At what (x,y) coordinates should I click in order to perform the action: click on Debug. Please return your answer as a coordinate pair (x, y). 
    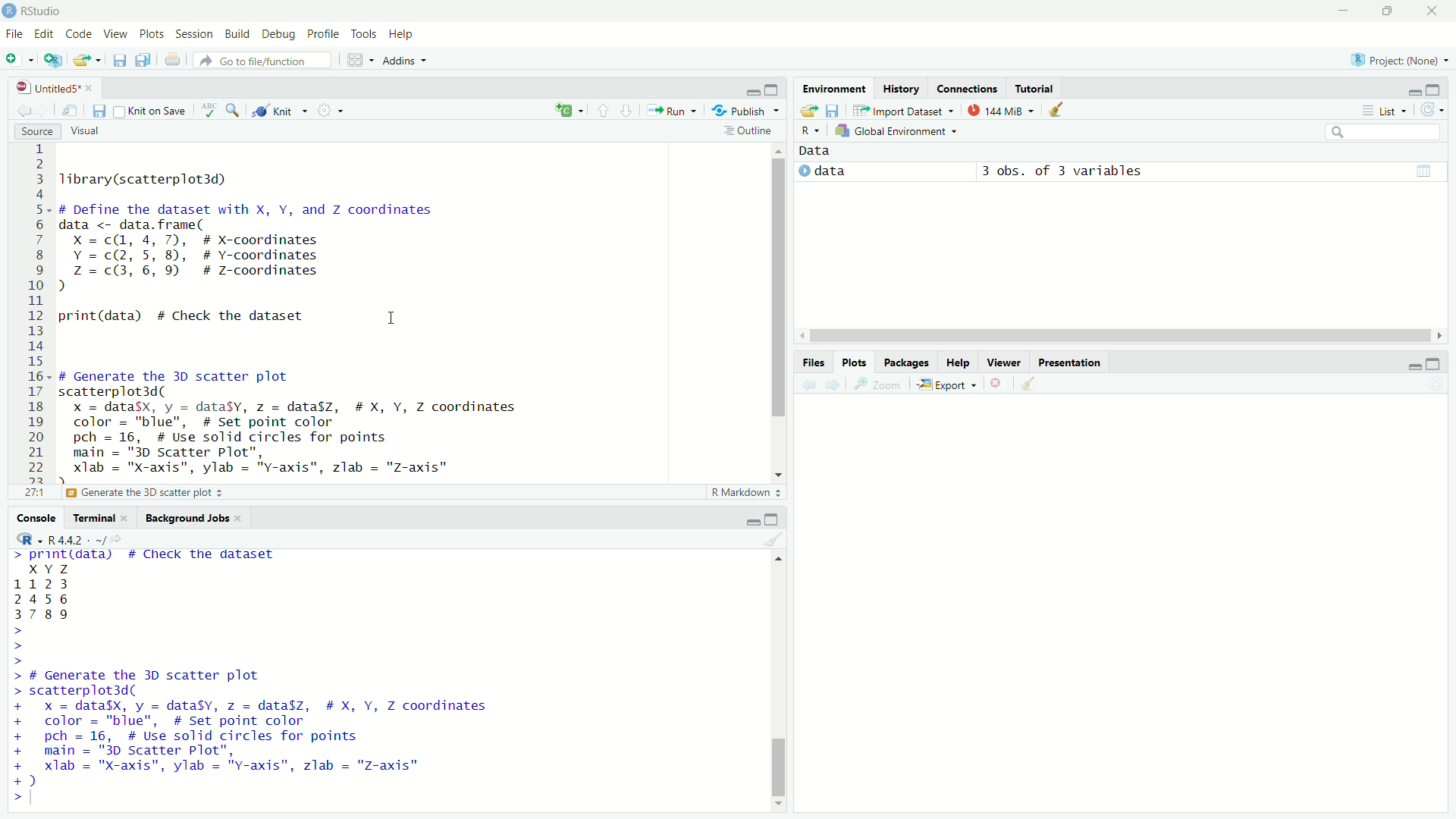
    Looking at the image, I should click on (281, 35).